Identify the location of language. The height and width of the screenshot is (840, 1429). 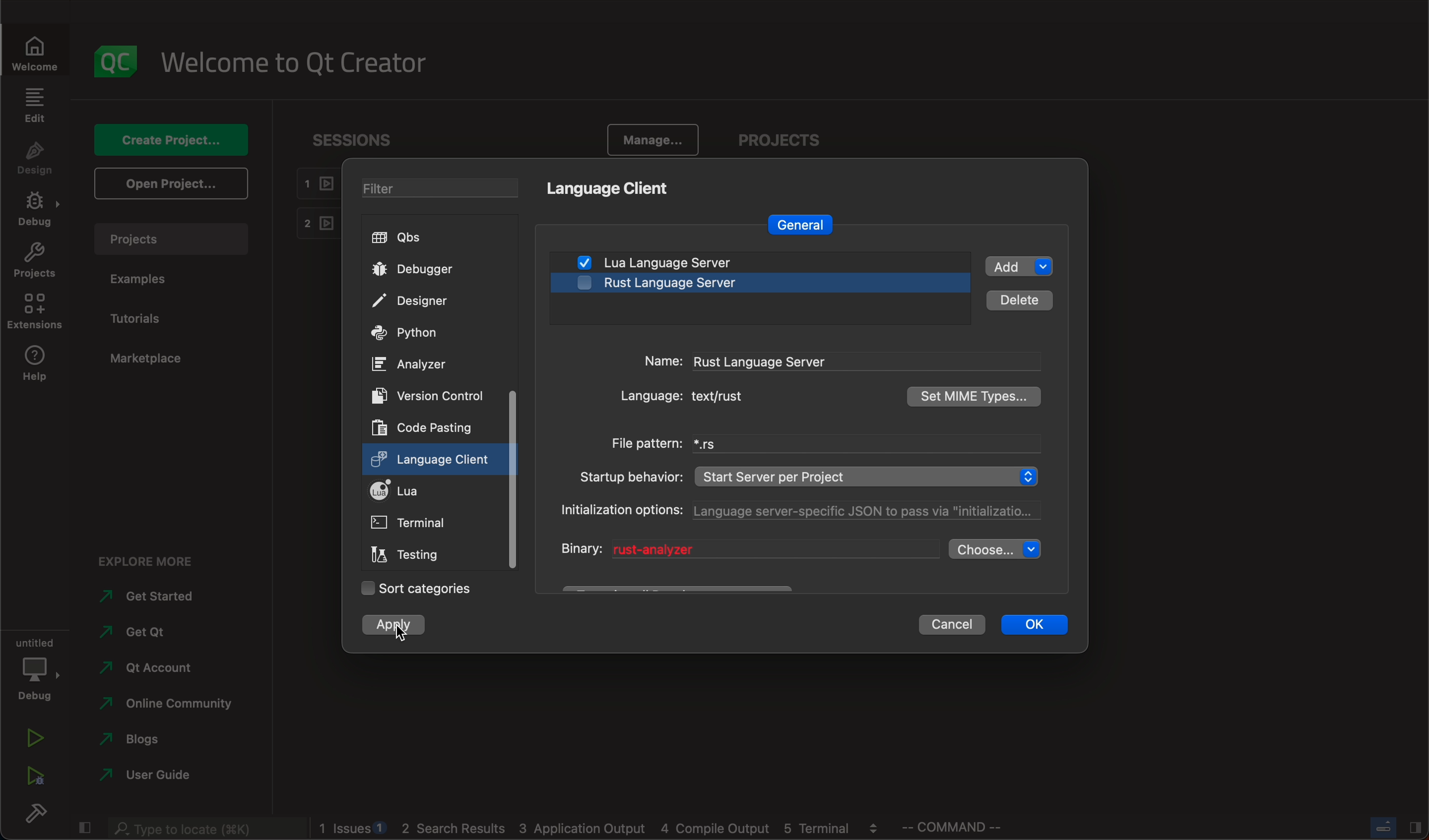
(702, 400).